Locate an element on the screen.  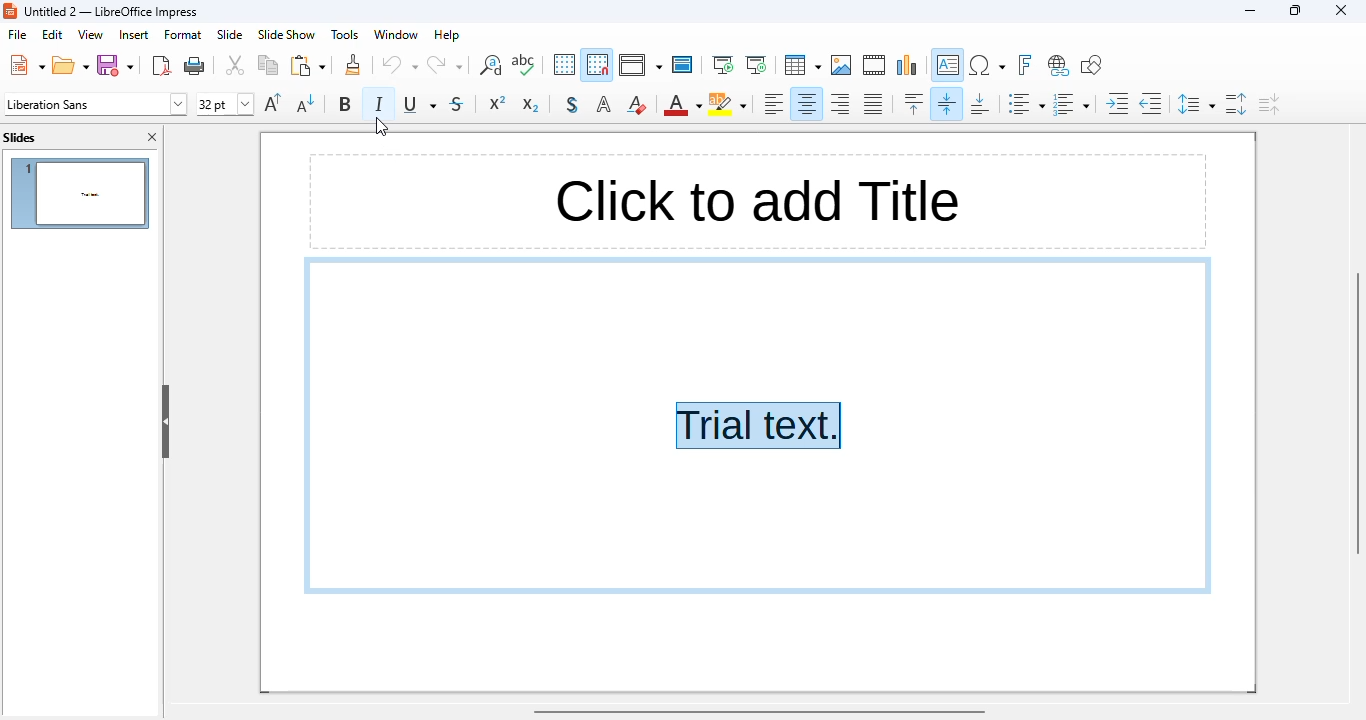
show draw functions is located at coordinates (1092, 65).